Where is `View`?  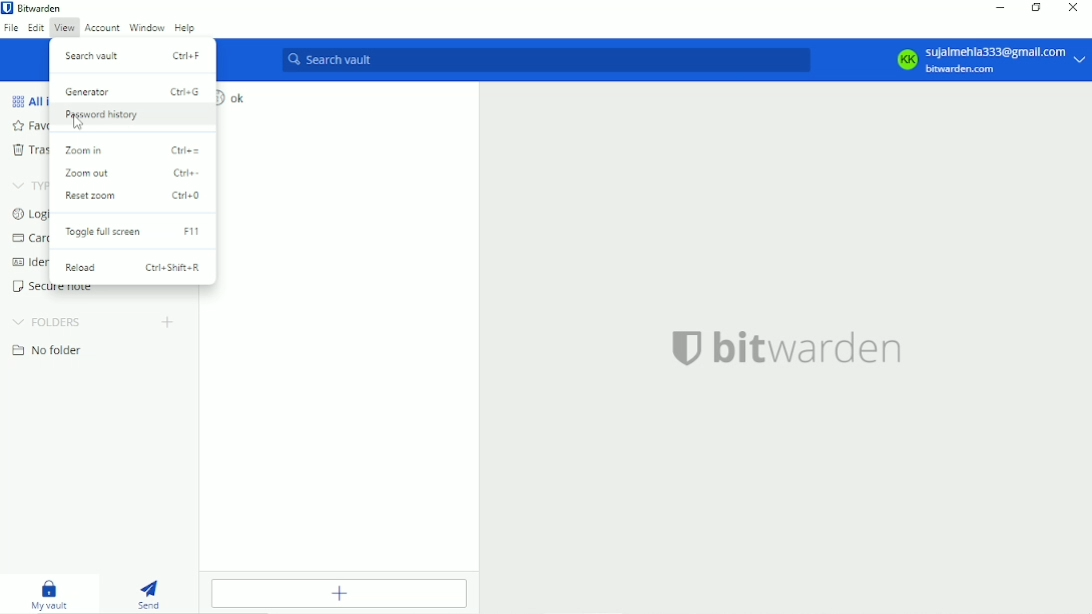 View is located at coordinates (64, 27).